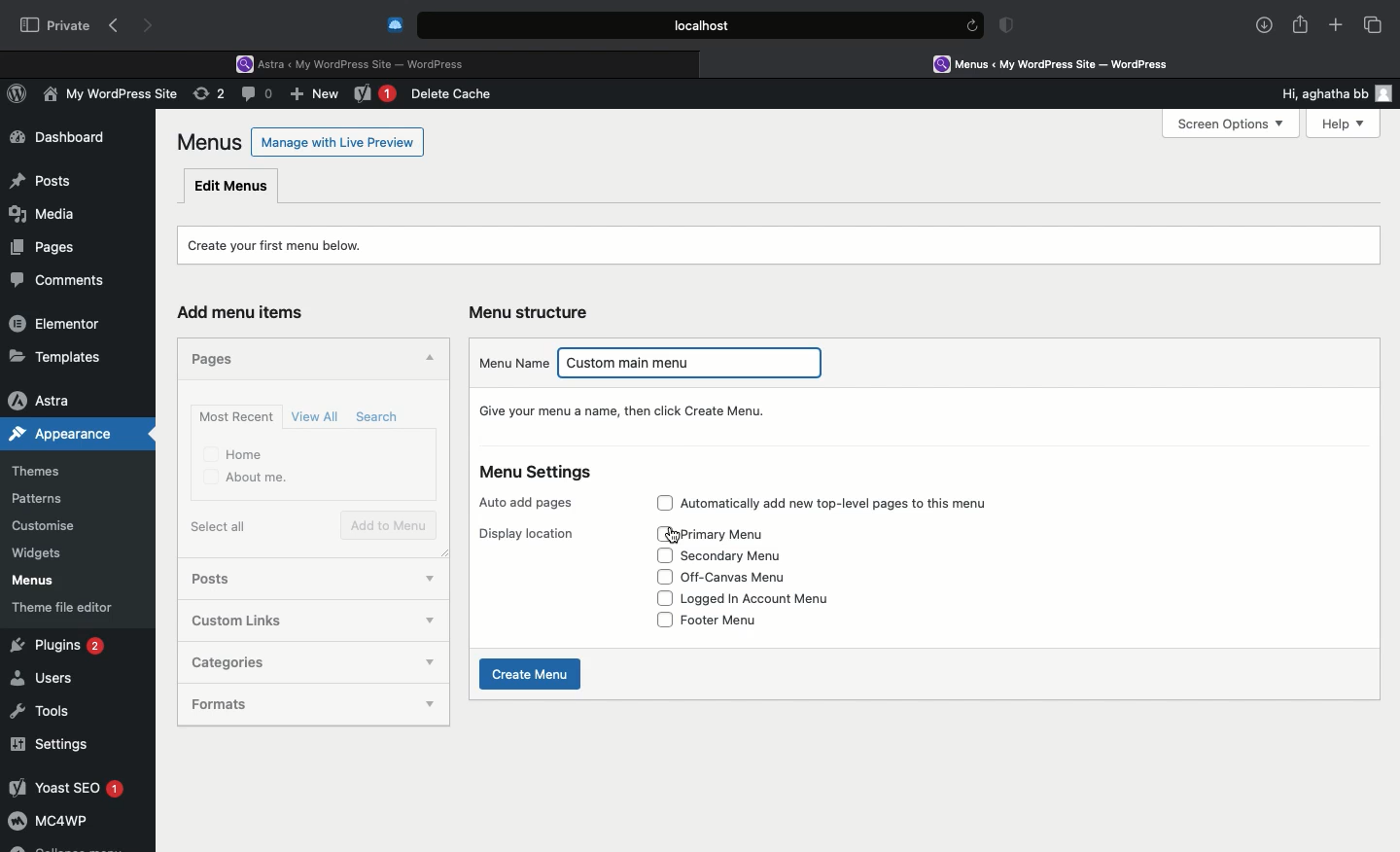  Describe the element at coordinates (664, 534) in the screenshot. I see `Check box` at that location.